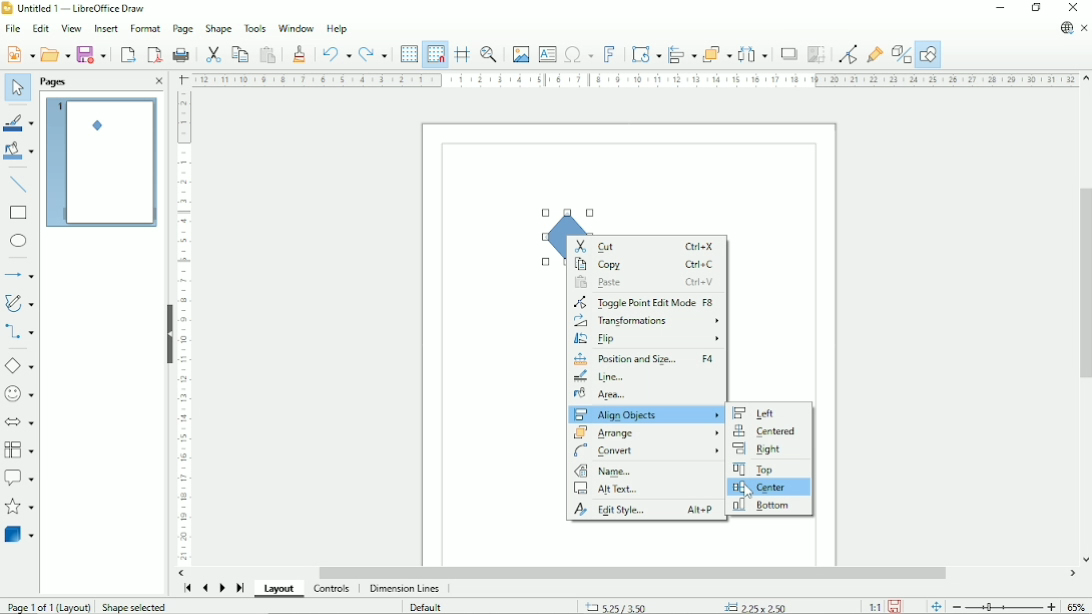  Describe the element at coordinates (936, 606) in the screenshot. I see `Fit page to current window` at that location.